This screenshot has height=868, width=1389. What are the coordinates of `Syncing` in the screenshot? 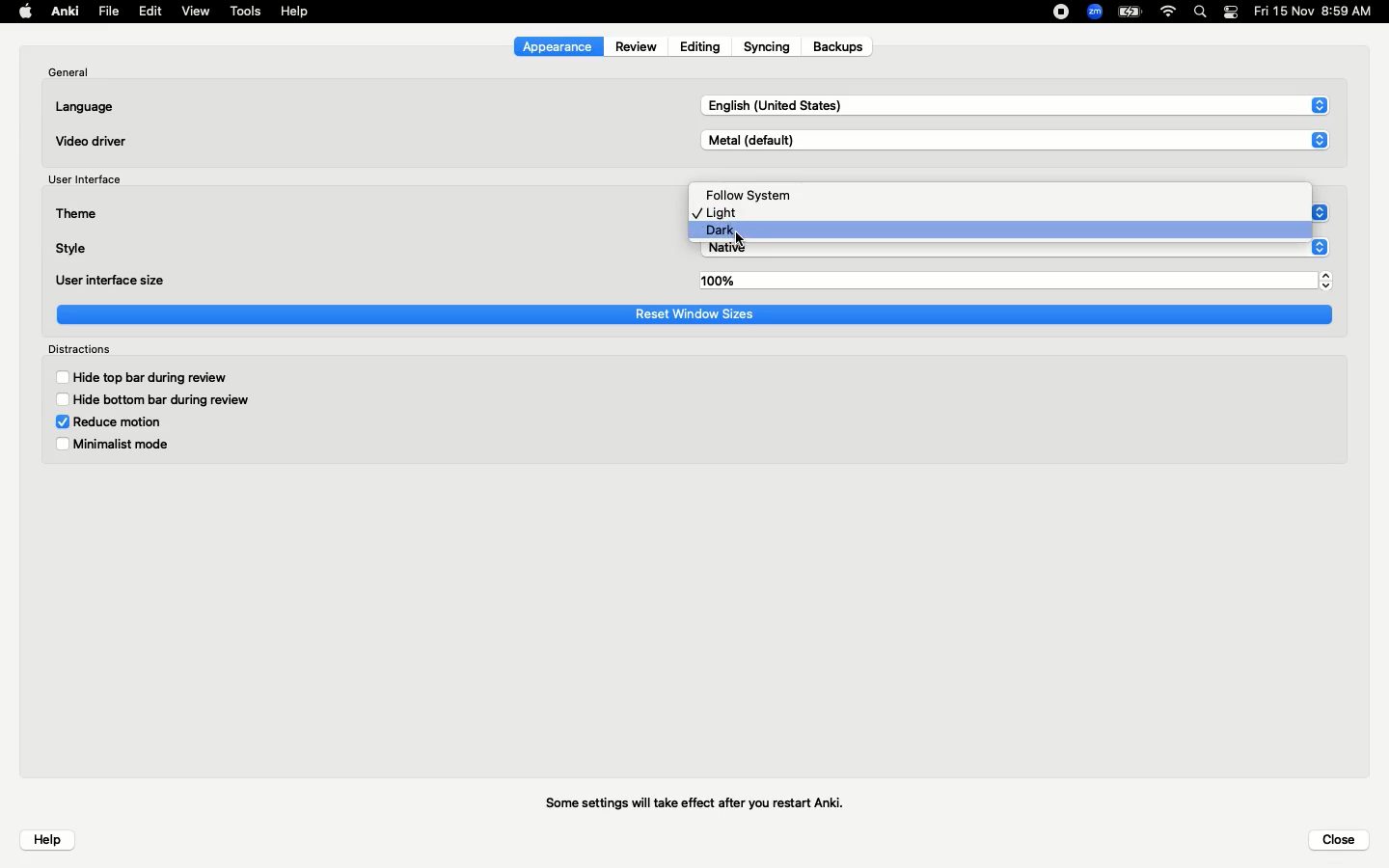 It's located at (769, 46).